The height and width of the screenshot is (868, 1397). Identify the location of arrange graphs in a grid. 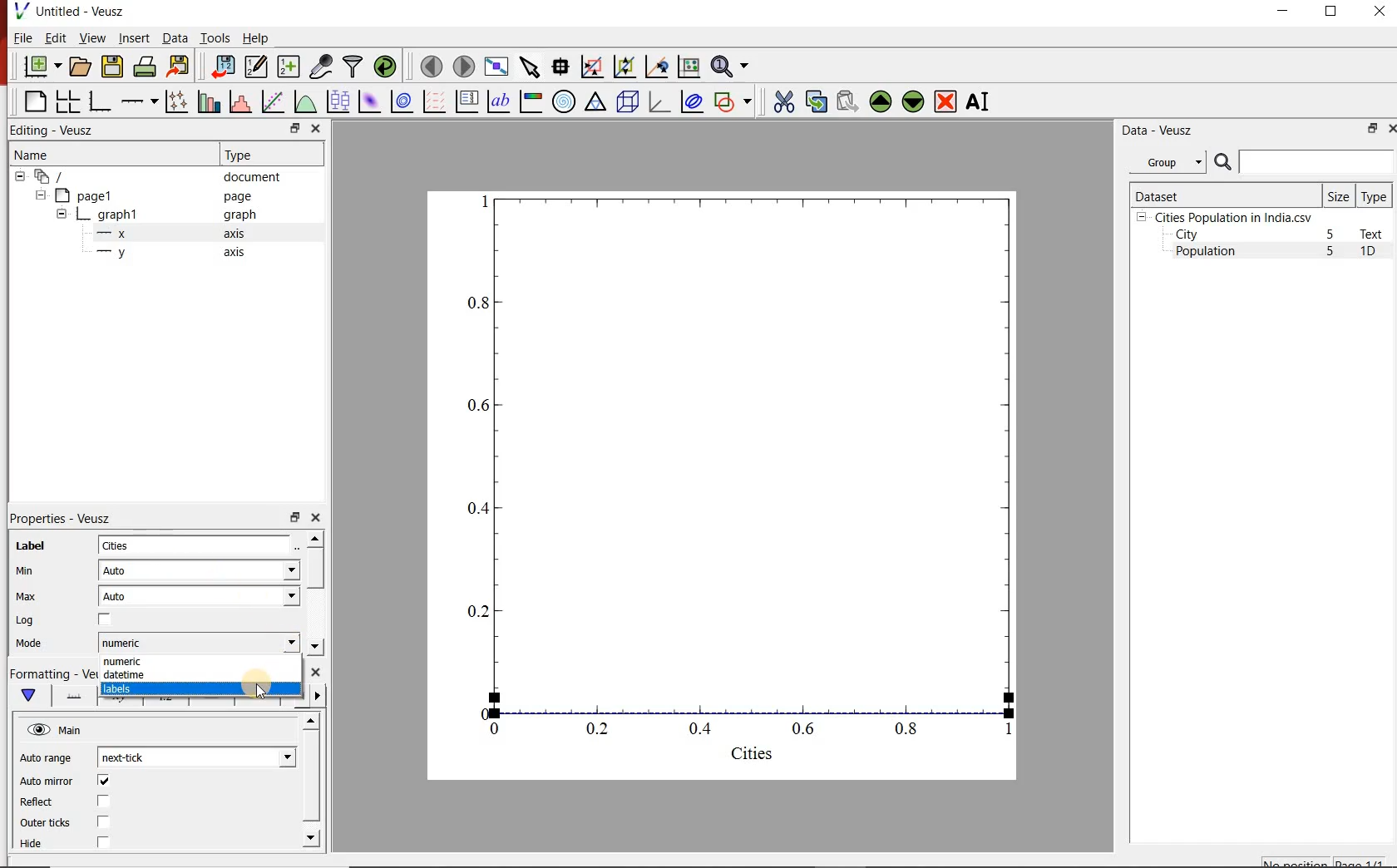
(67, 101).